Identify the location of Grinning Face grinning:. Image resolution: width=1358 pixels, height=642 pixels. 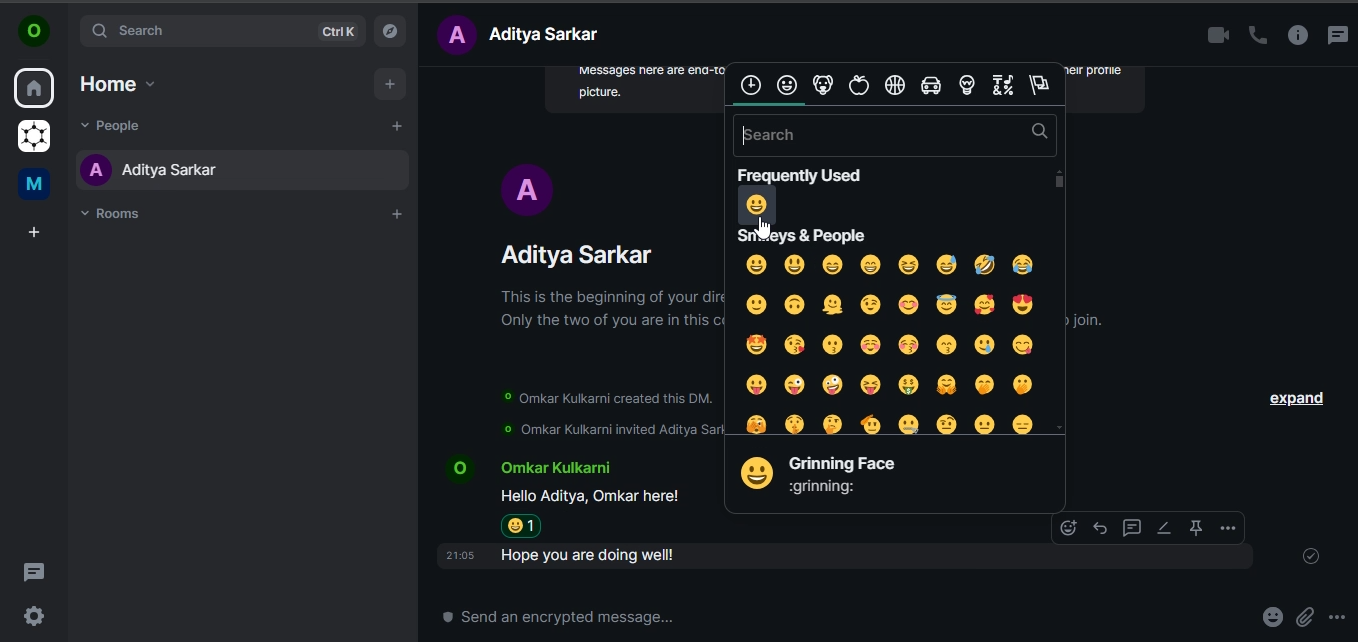
(843, 476).